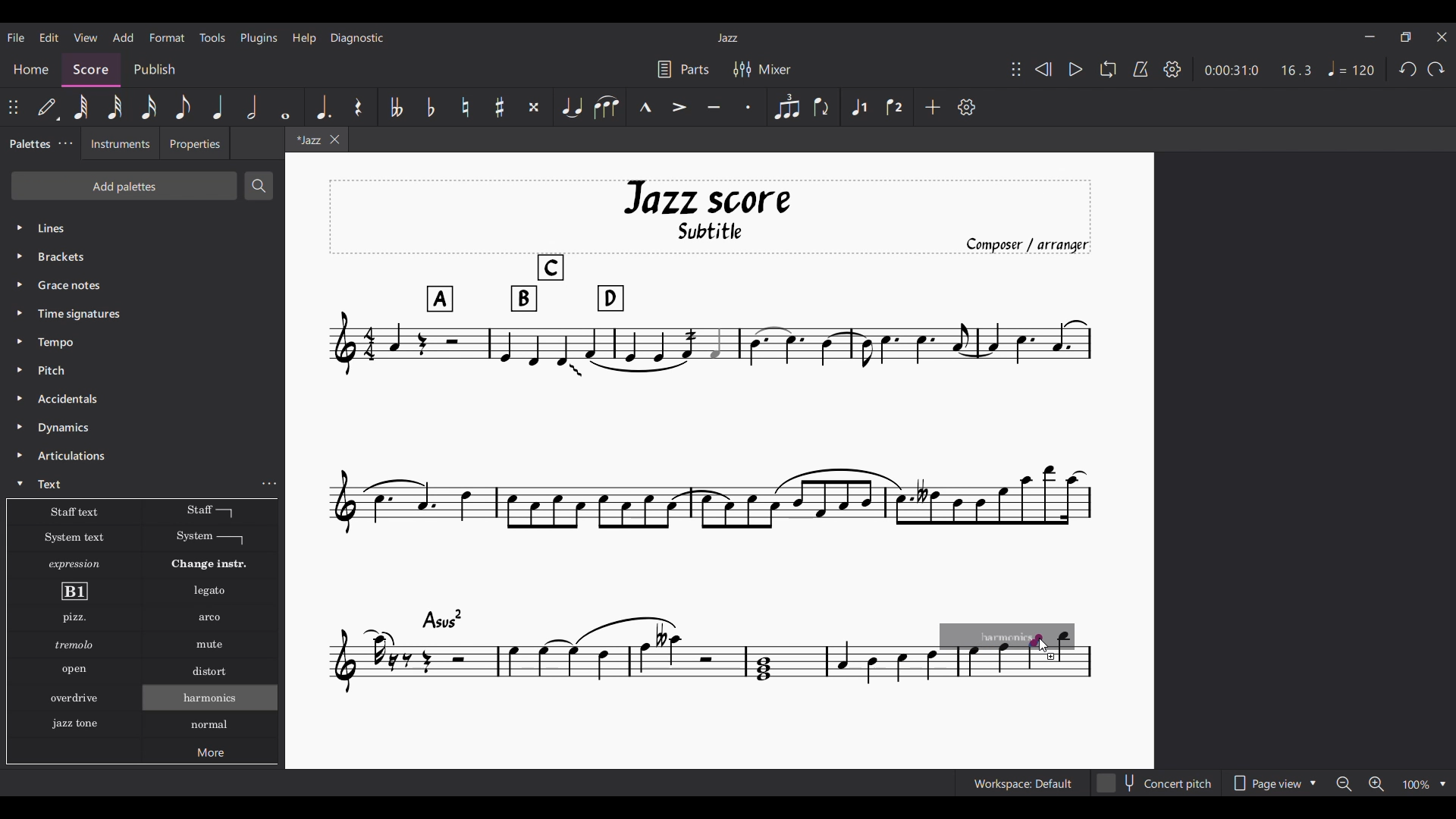  I want to click on Plugins menu, so click(259, 38).